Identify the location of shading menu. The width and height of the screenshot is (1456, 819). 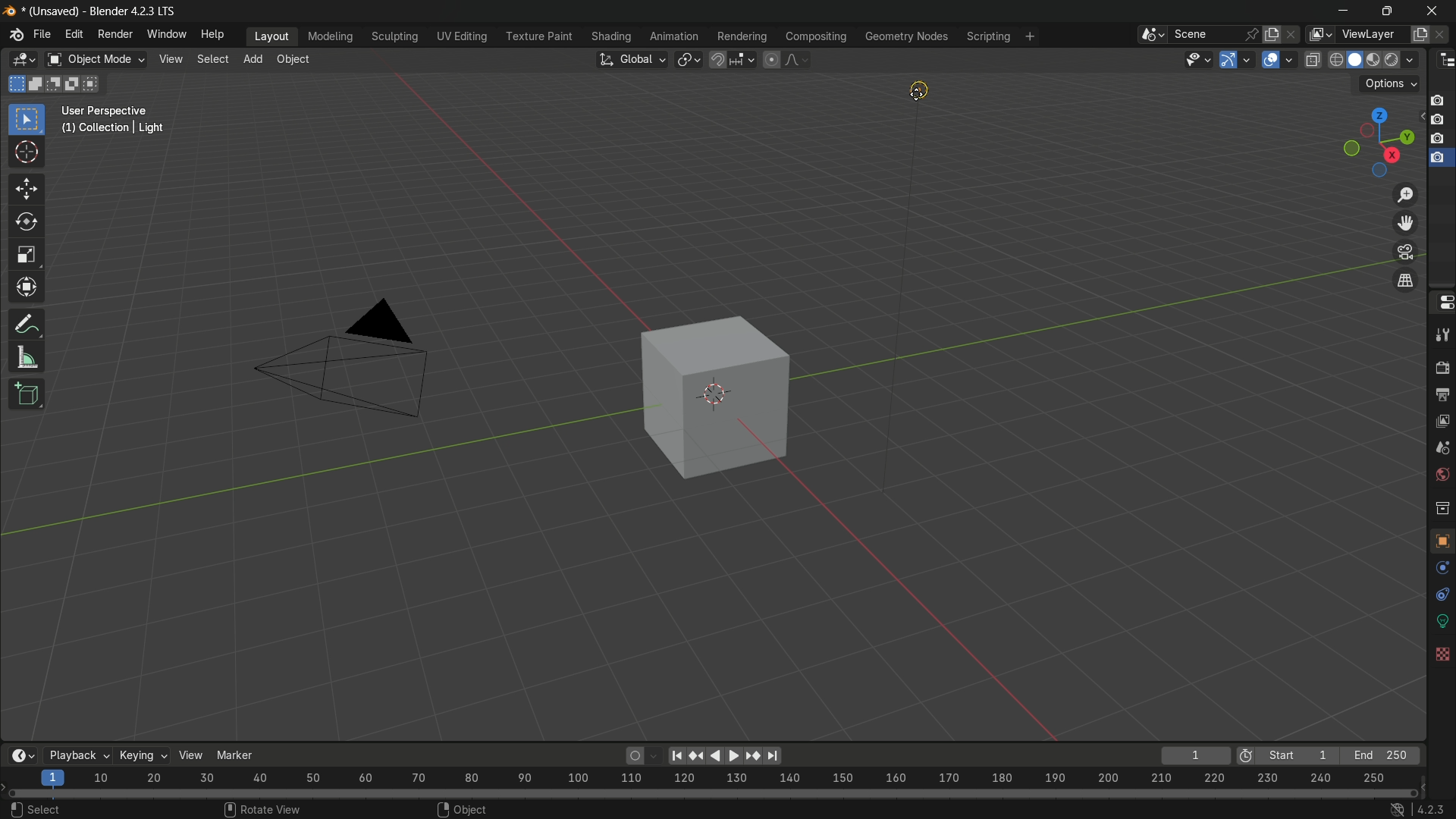
(613, 36).